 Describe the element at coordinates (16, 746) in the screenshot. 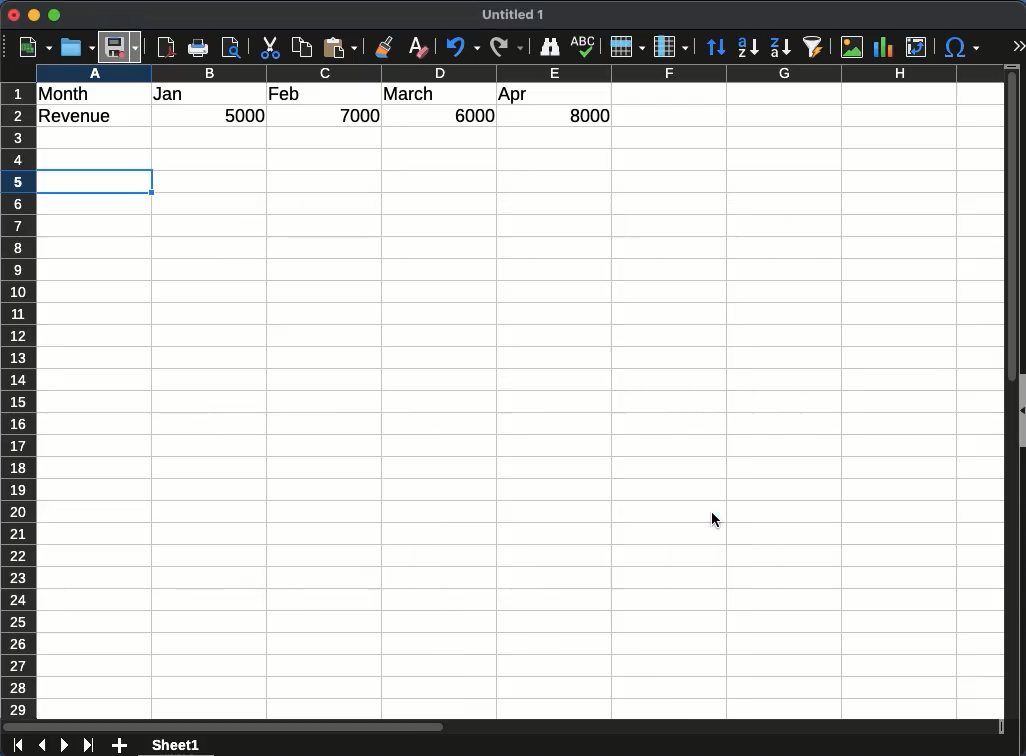

I see `first sheet` at that location.